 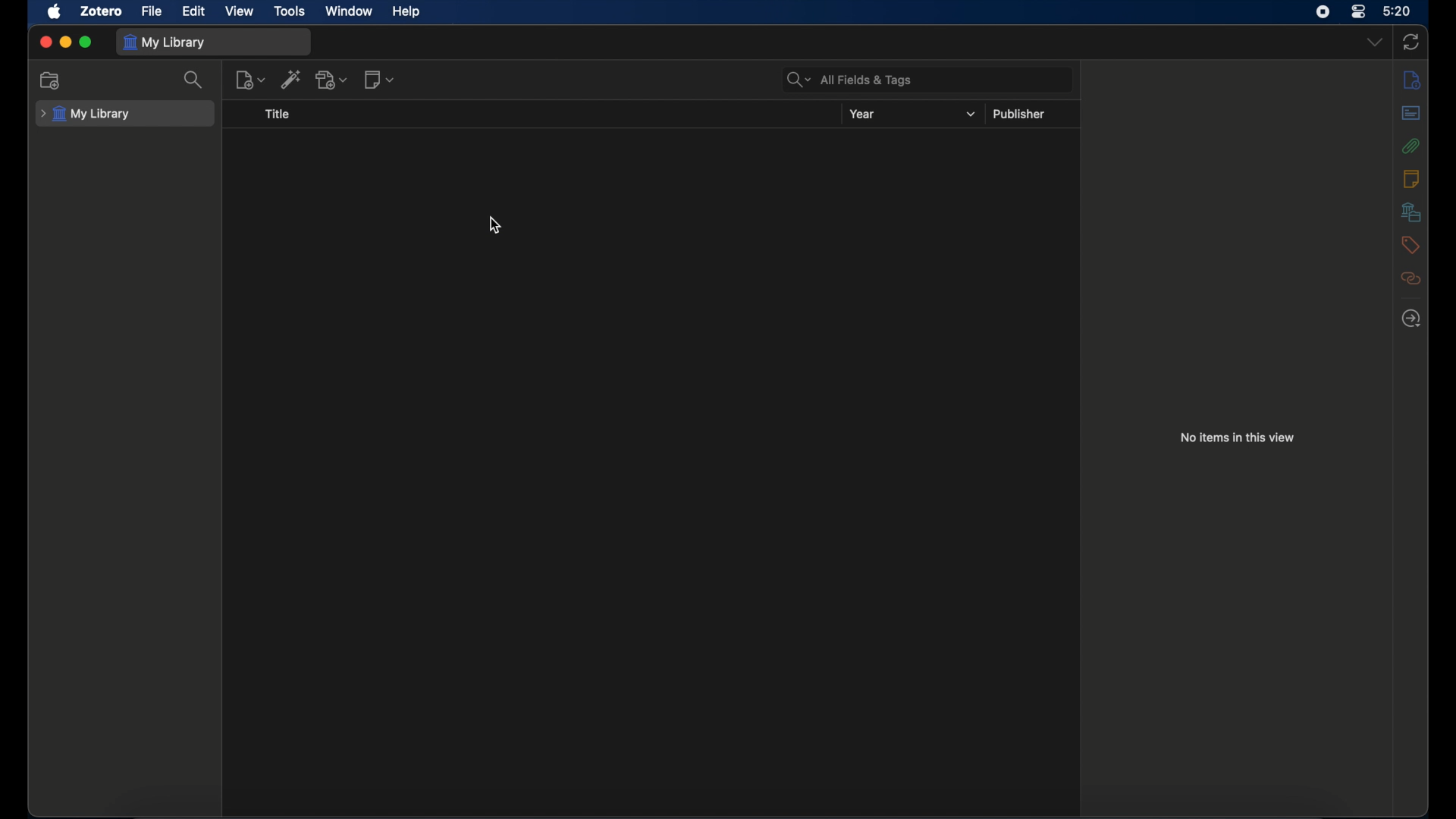 What do you see at coordinates (86, 115) in the screenshot?
I see `my library` at bounding box center [86, 115].